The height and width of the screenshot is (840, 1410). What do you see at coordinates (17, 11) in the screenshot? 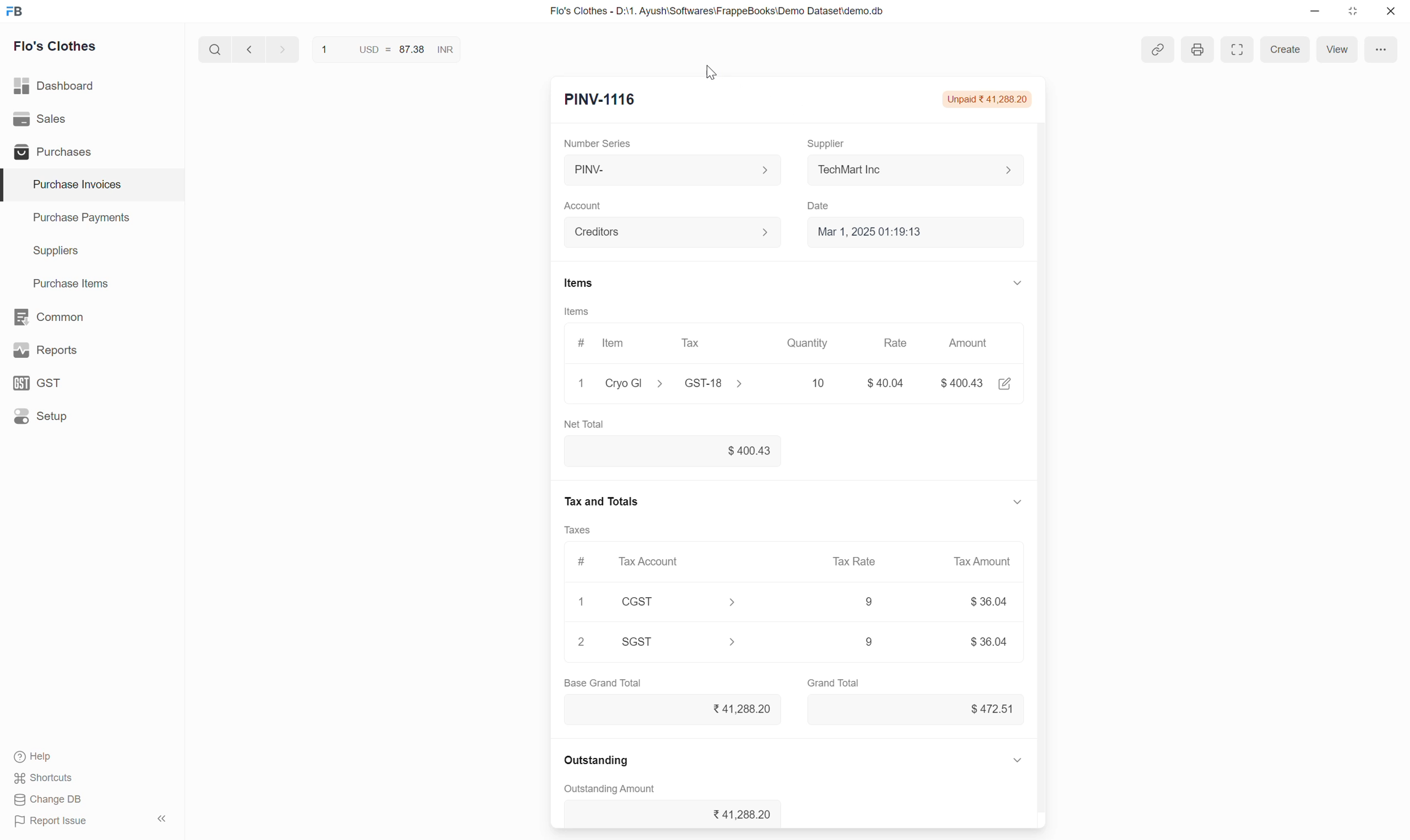
I see `frappe books logo` at bounding box center [17, 11].